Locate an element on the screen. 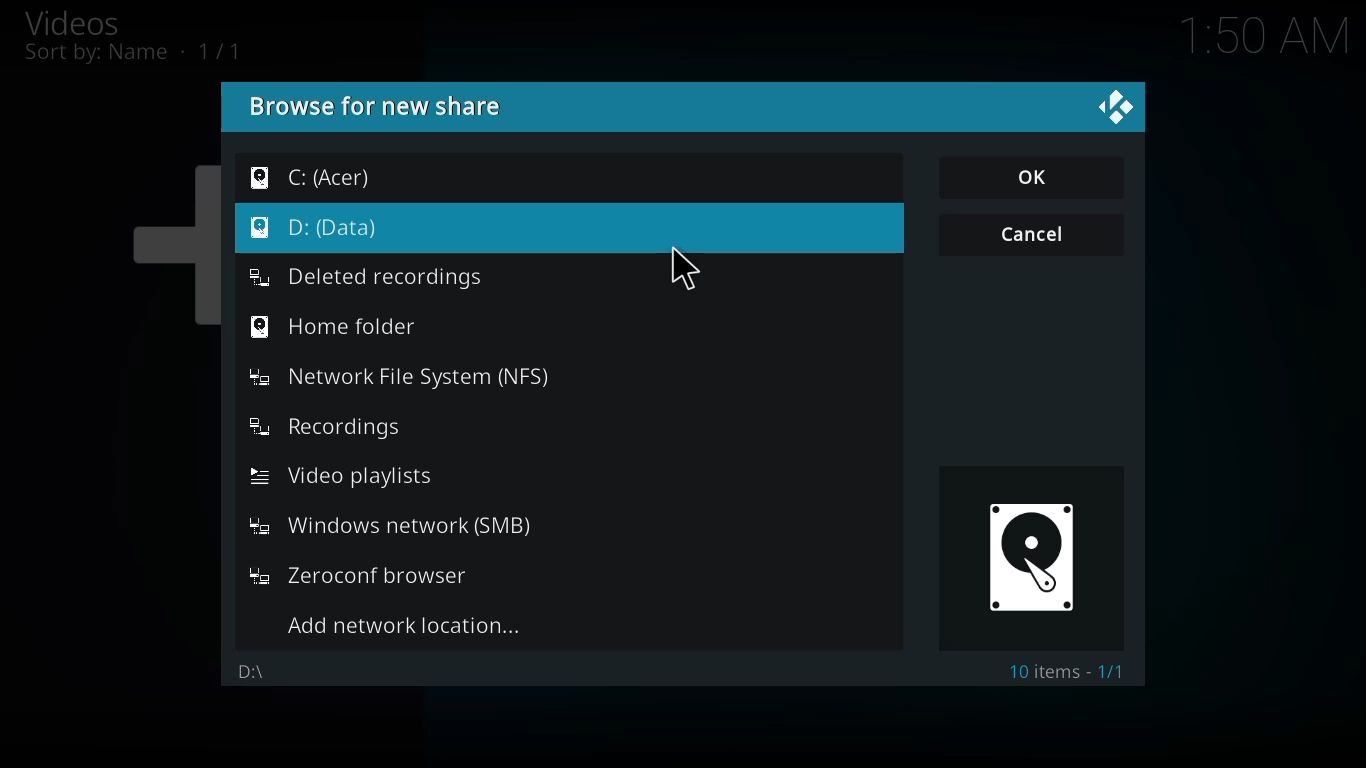 This screenshot has height=768, width=1366. cancel is located at coordinates (1026, 235).